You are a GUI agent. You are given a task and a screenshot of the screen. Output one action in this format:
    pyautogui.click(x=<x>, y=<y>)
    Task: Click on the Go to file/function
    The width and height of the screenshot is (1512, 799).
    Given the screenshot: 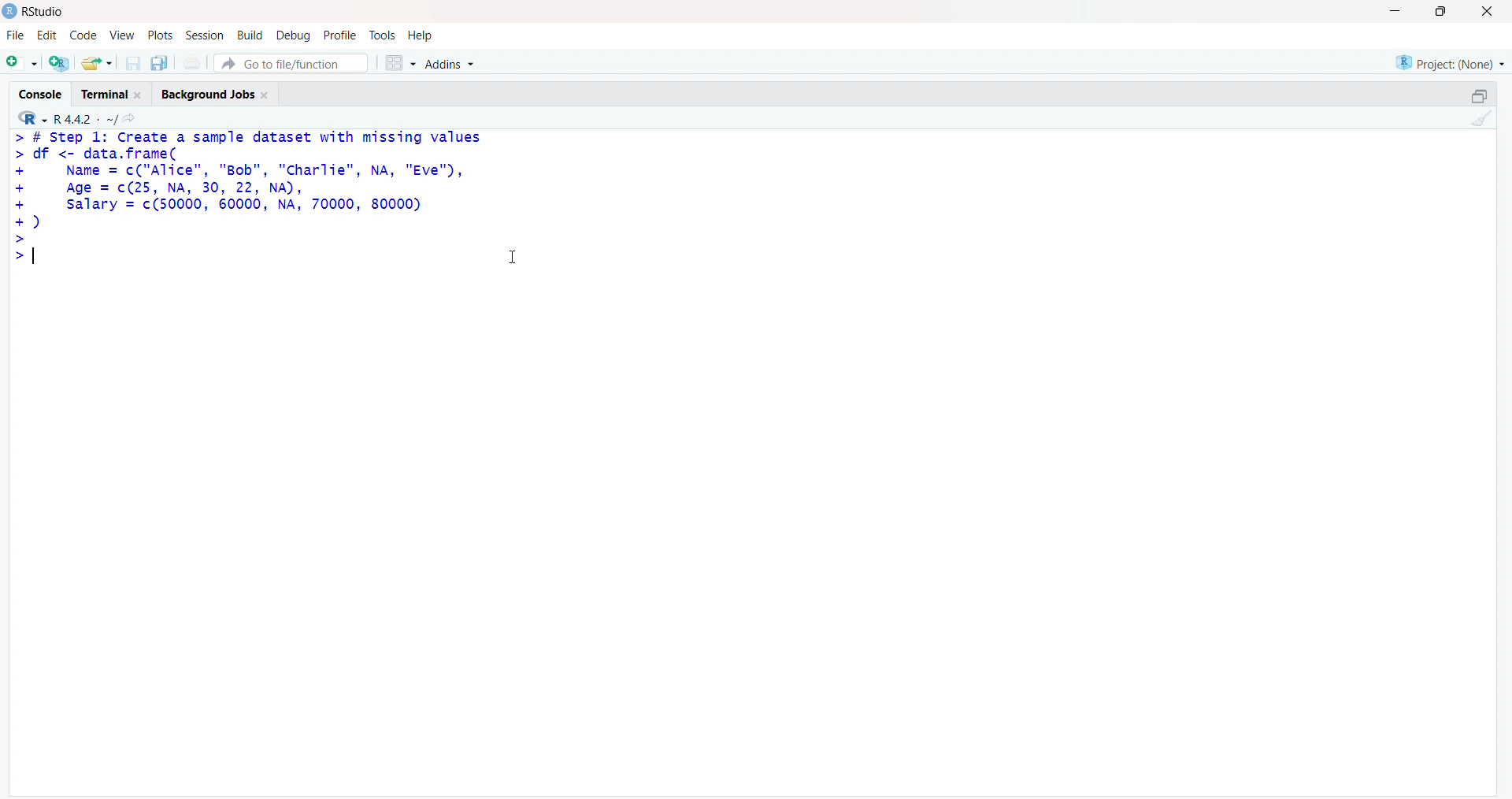 What is the action you would take?
    pyautogui.click(x=291, y=62)
    